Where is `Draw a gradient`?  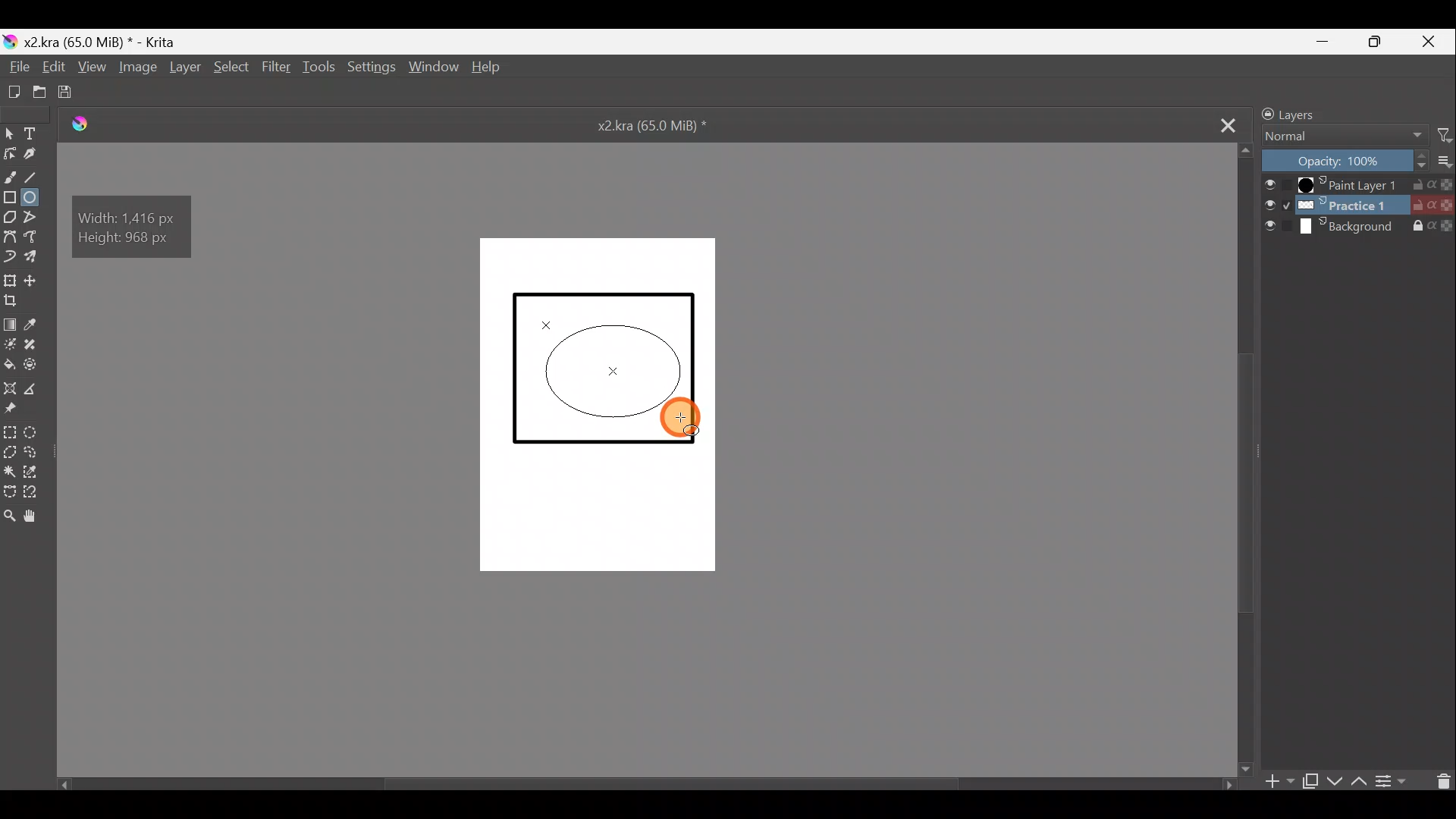
Draw a gradient is located at coordinates (11, 322).